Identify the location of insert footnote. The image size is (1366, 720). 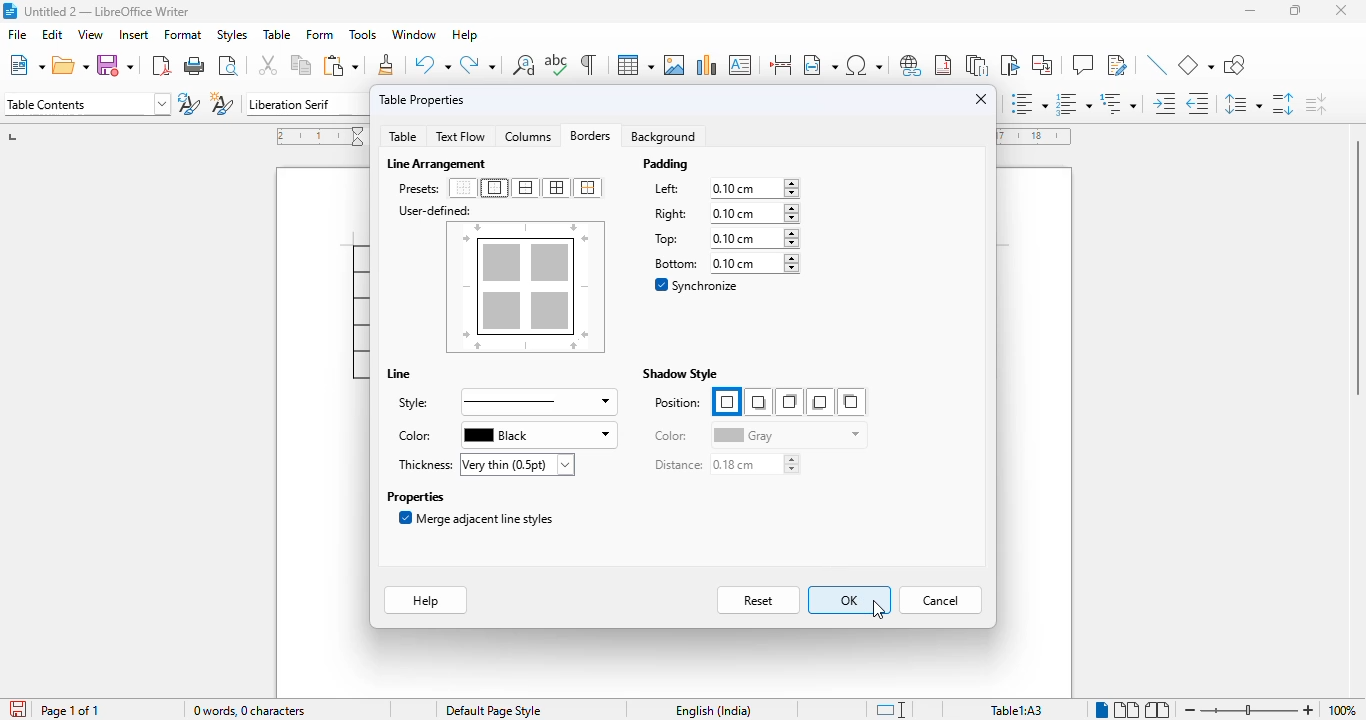
(943, 65).